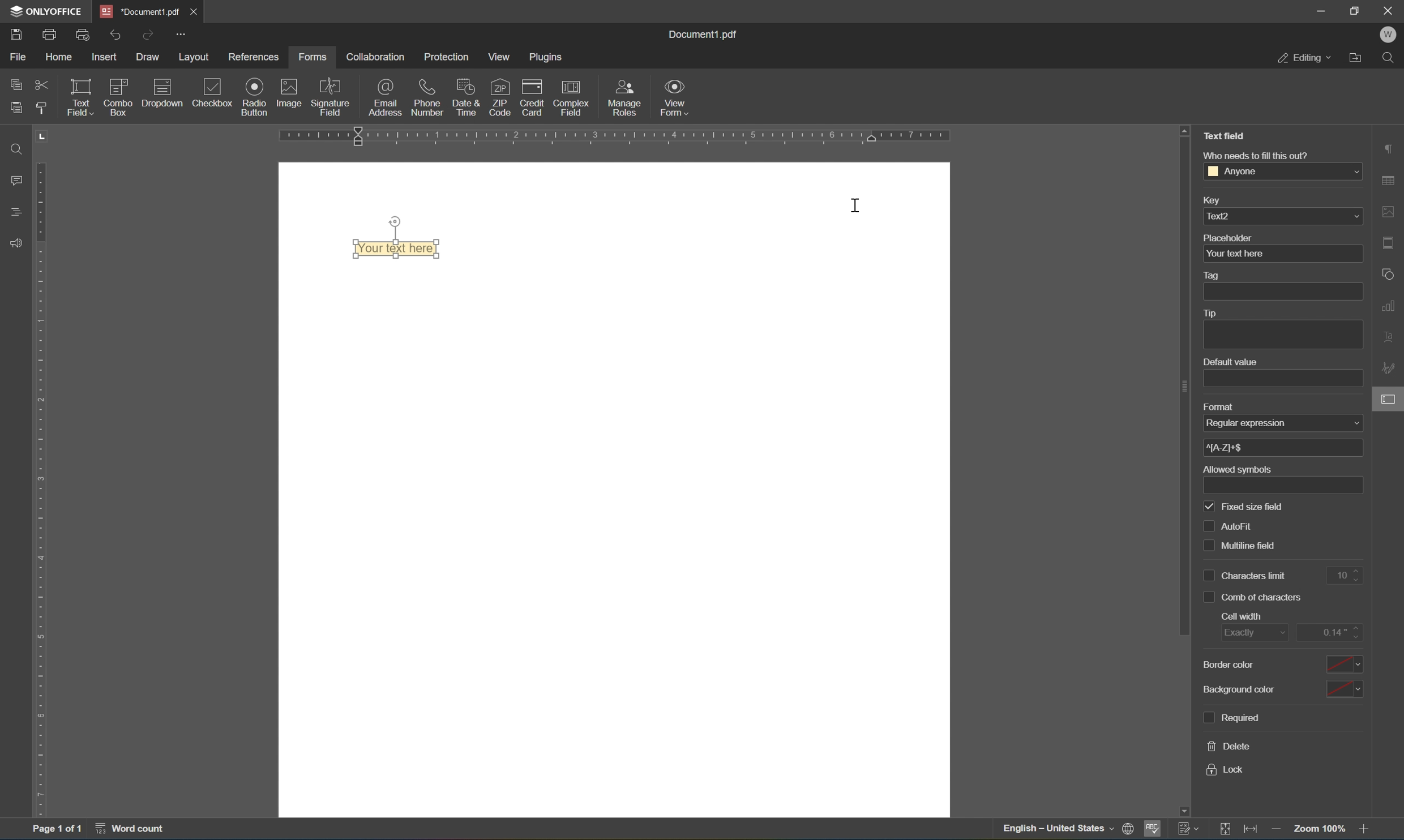  I want to click on undo, so click(116, 35).